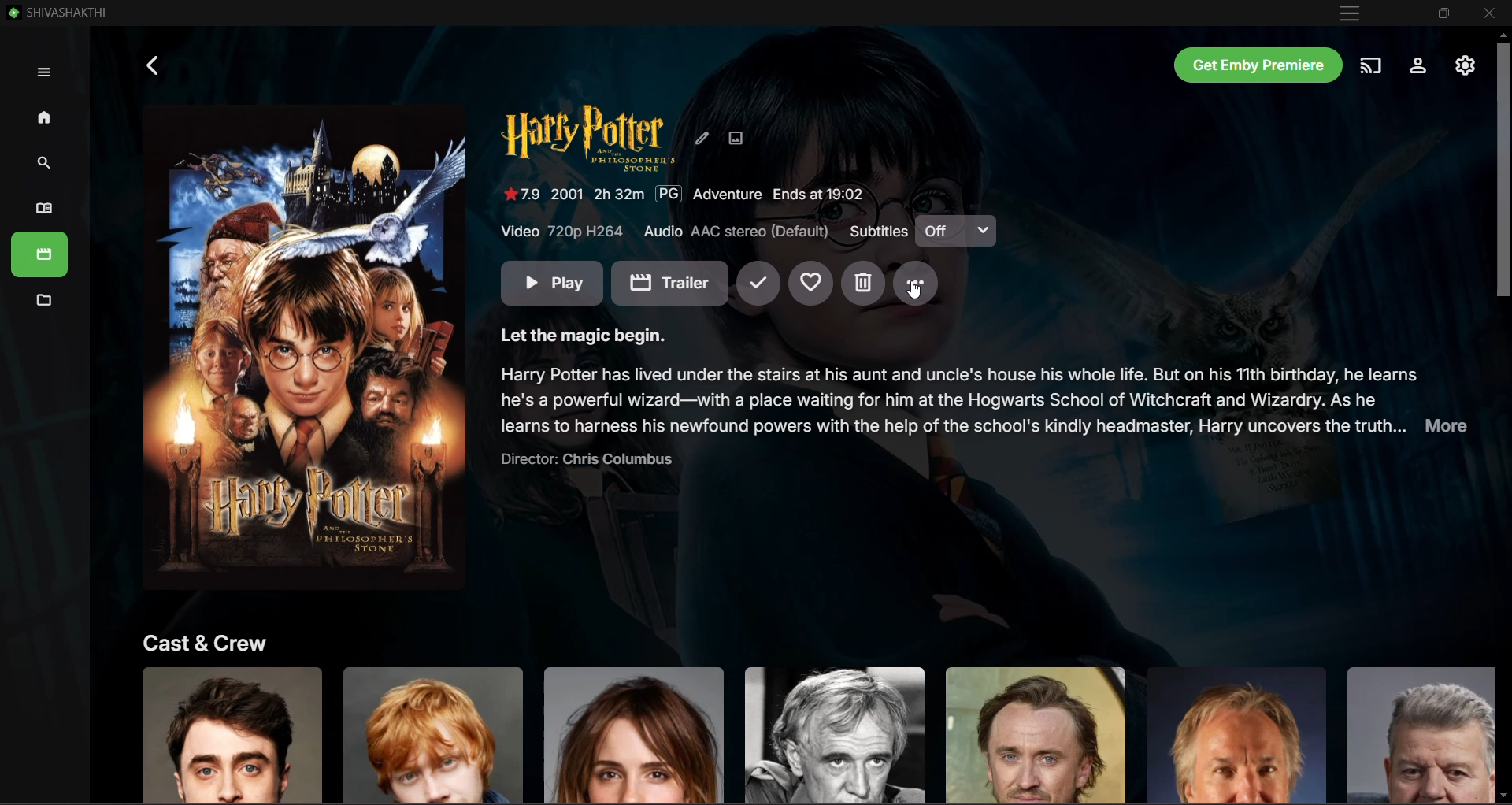 This screenshot has height=805, width=1512. I want to click on Search, so click(39, 164).